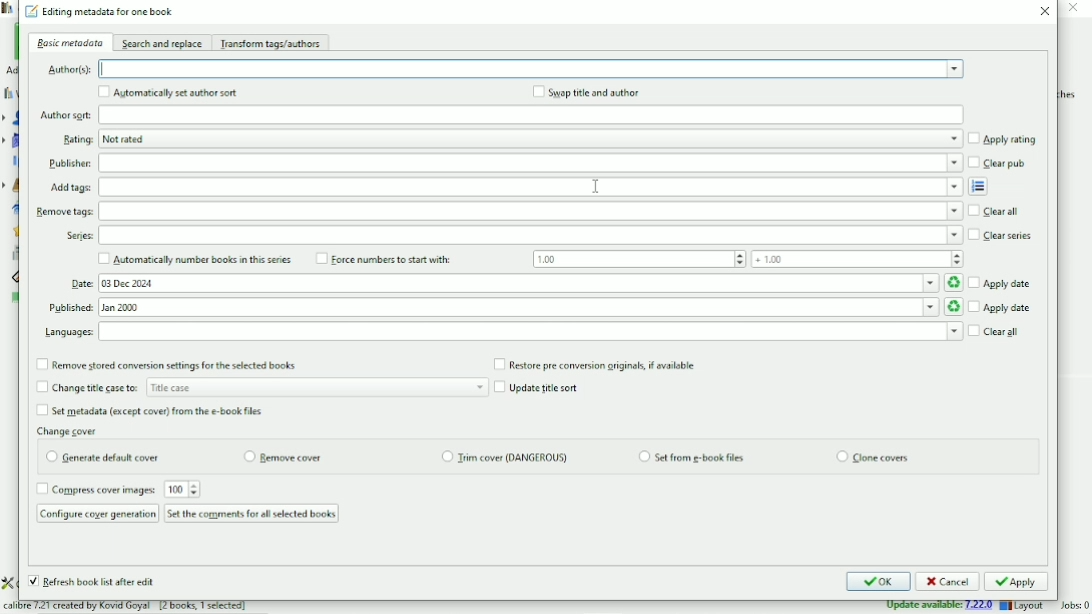  Describe the element at coordinates (177, 489) in the screenshot. I see `compress image input box` at that location.